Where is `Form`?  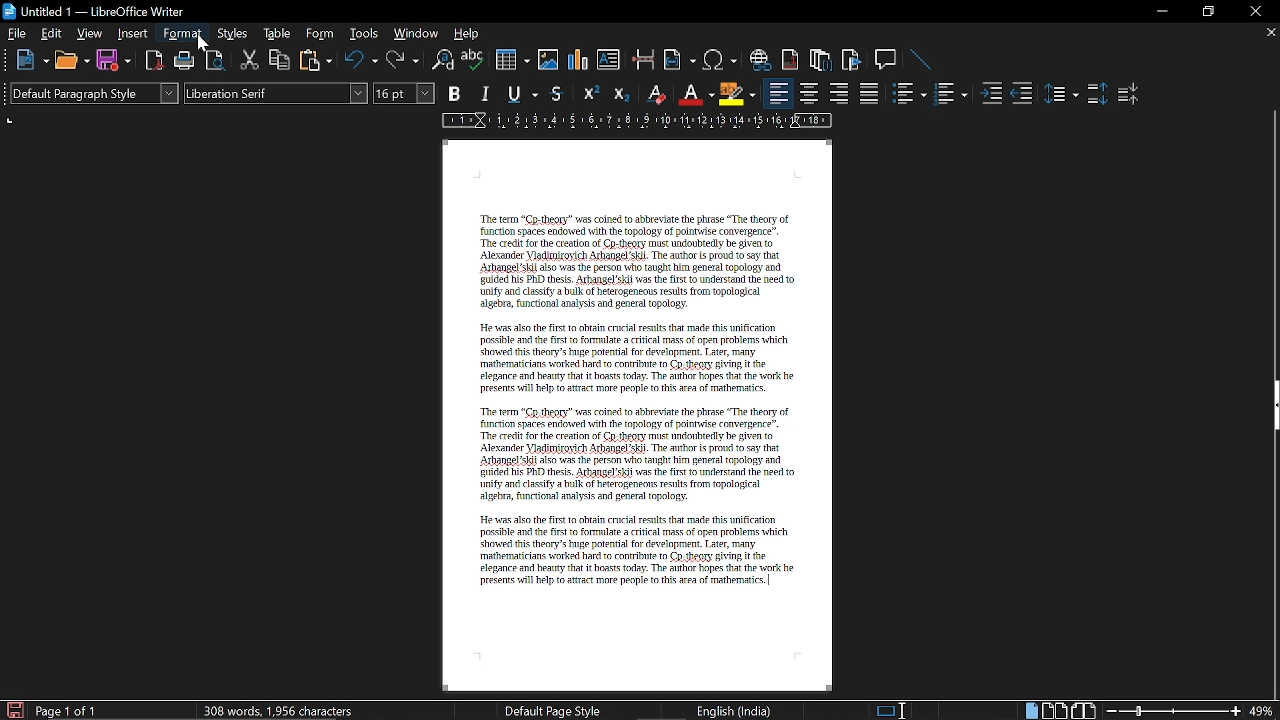 Form is located at coordinates (322, 32).